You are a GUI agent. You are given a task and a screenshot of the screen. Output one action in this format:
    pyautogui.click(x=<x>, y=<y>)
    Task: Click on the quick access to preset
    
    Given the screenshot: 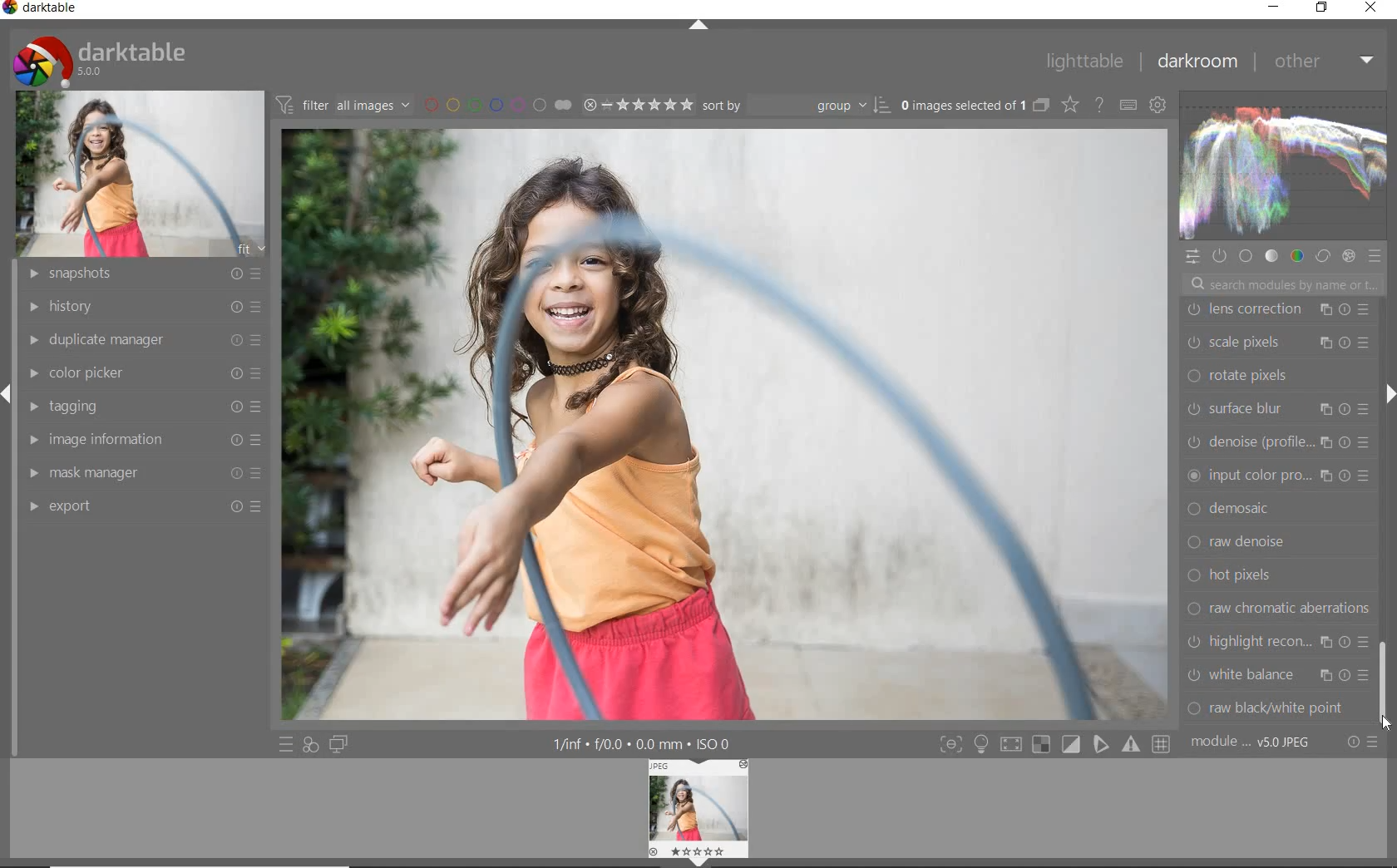 What is the action you would take?
    pyautogui.click(x=286, y=743)
    